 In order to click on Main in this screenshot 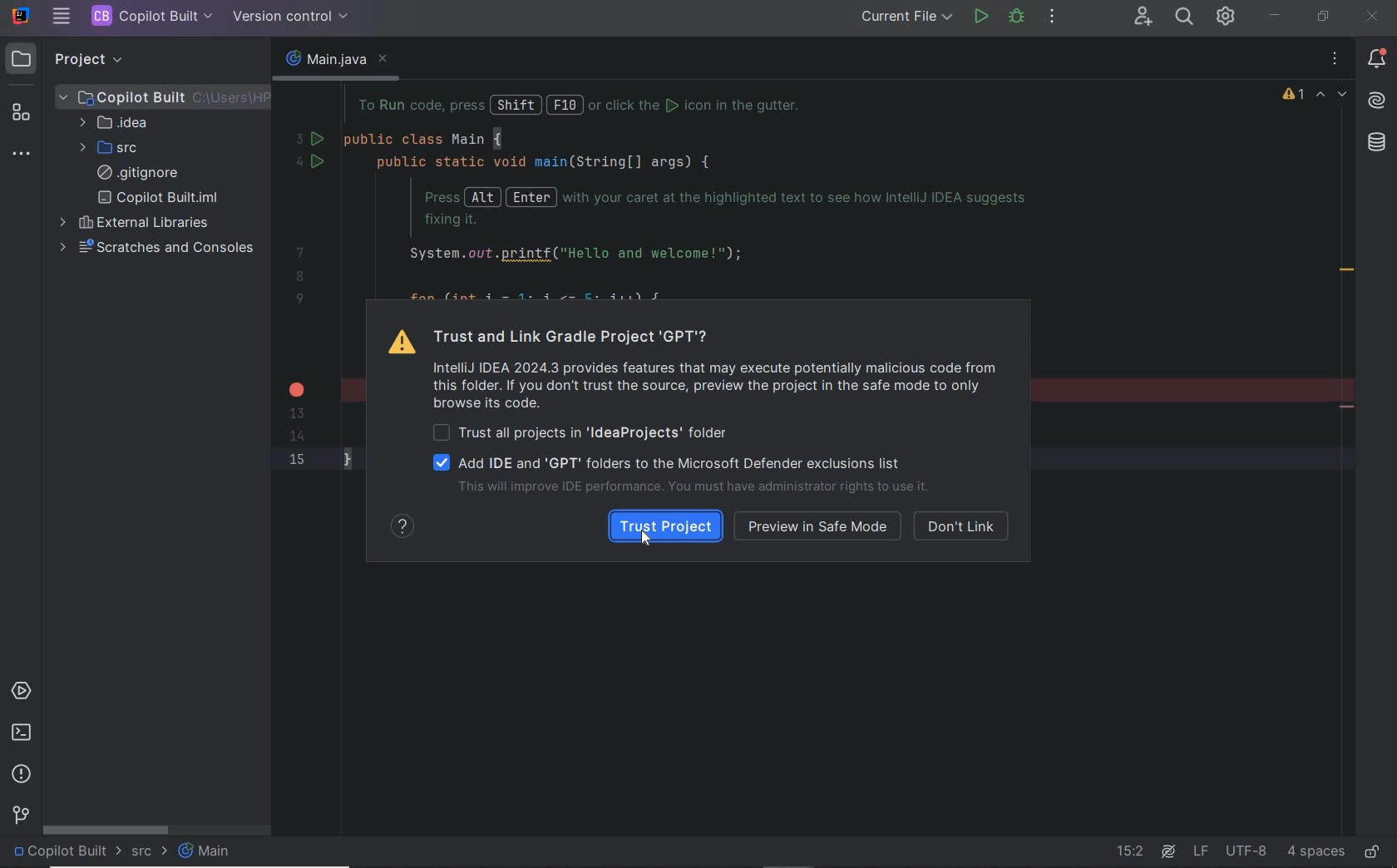, I will do `click(205, 851)`.